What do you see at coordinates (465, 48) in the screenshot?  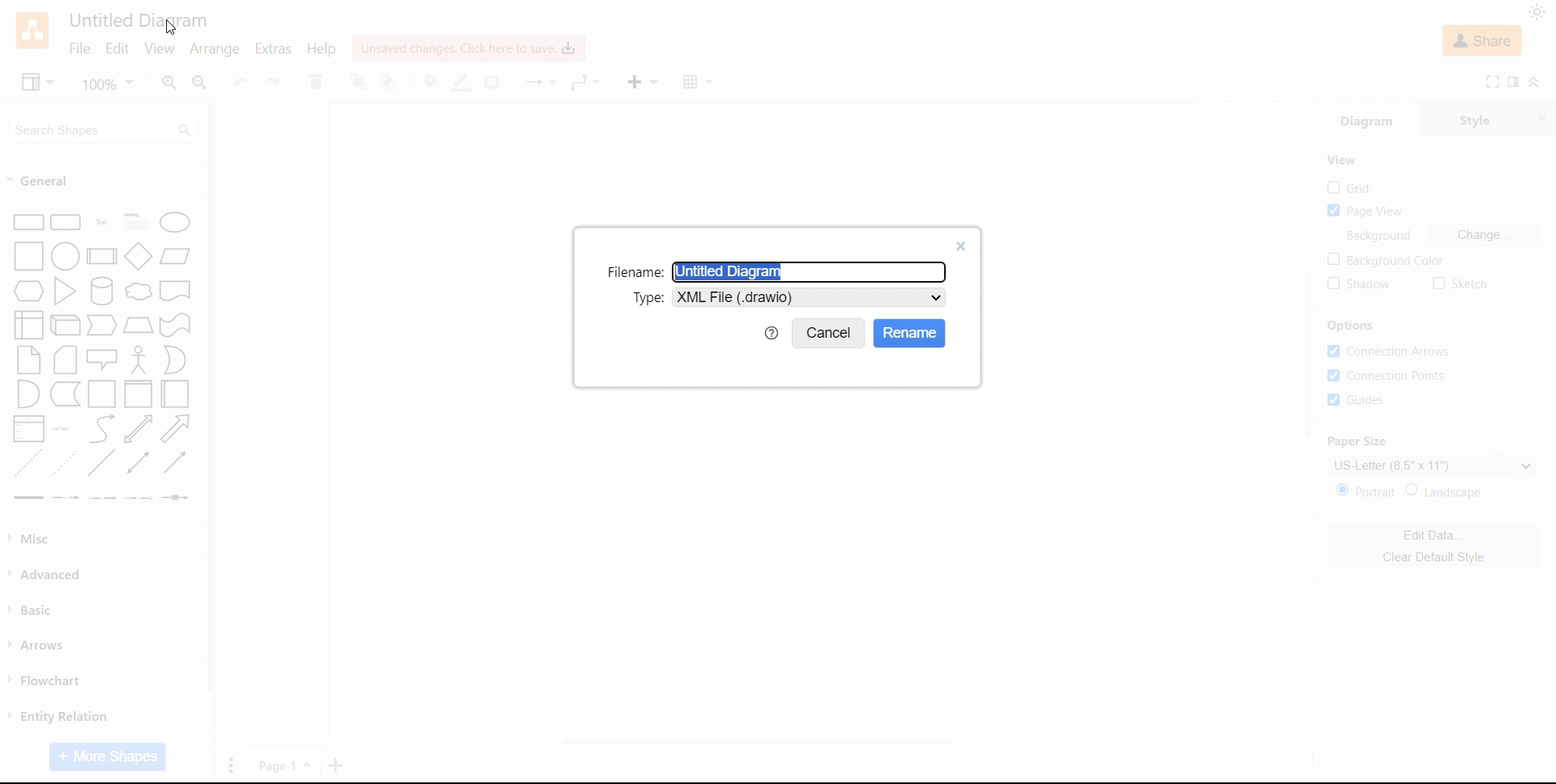 I see `Unsaved changes click here to save ` at bounding box center [465, 48].